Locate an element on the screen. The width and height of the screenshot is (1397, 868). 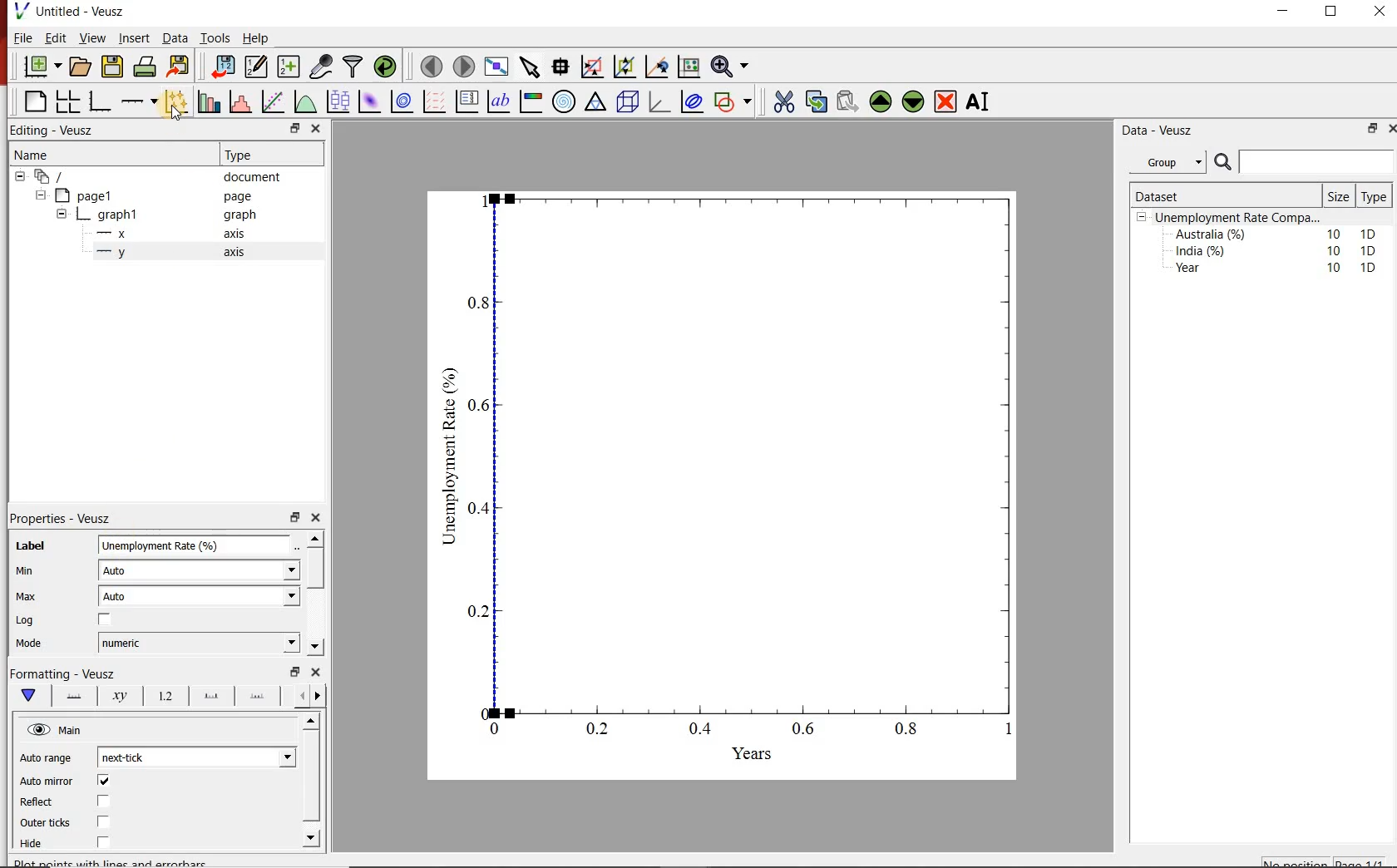
View is located at coordinates (91, 38).